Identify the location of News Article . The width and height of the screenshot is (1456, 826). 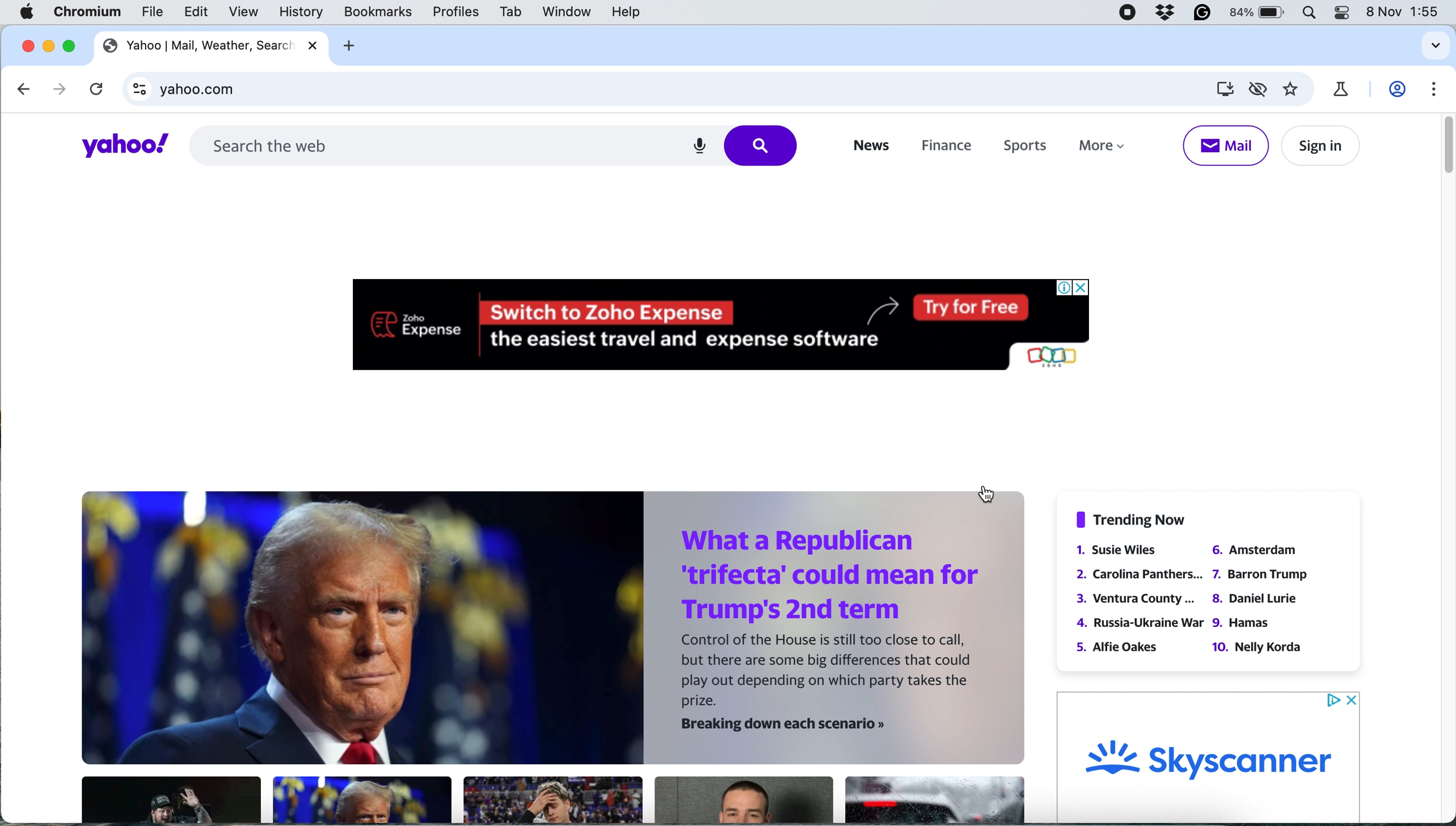
(553, 799).